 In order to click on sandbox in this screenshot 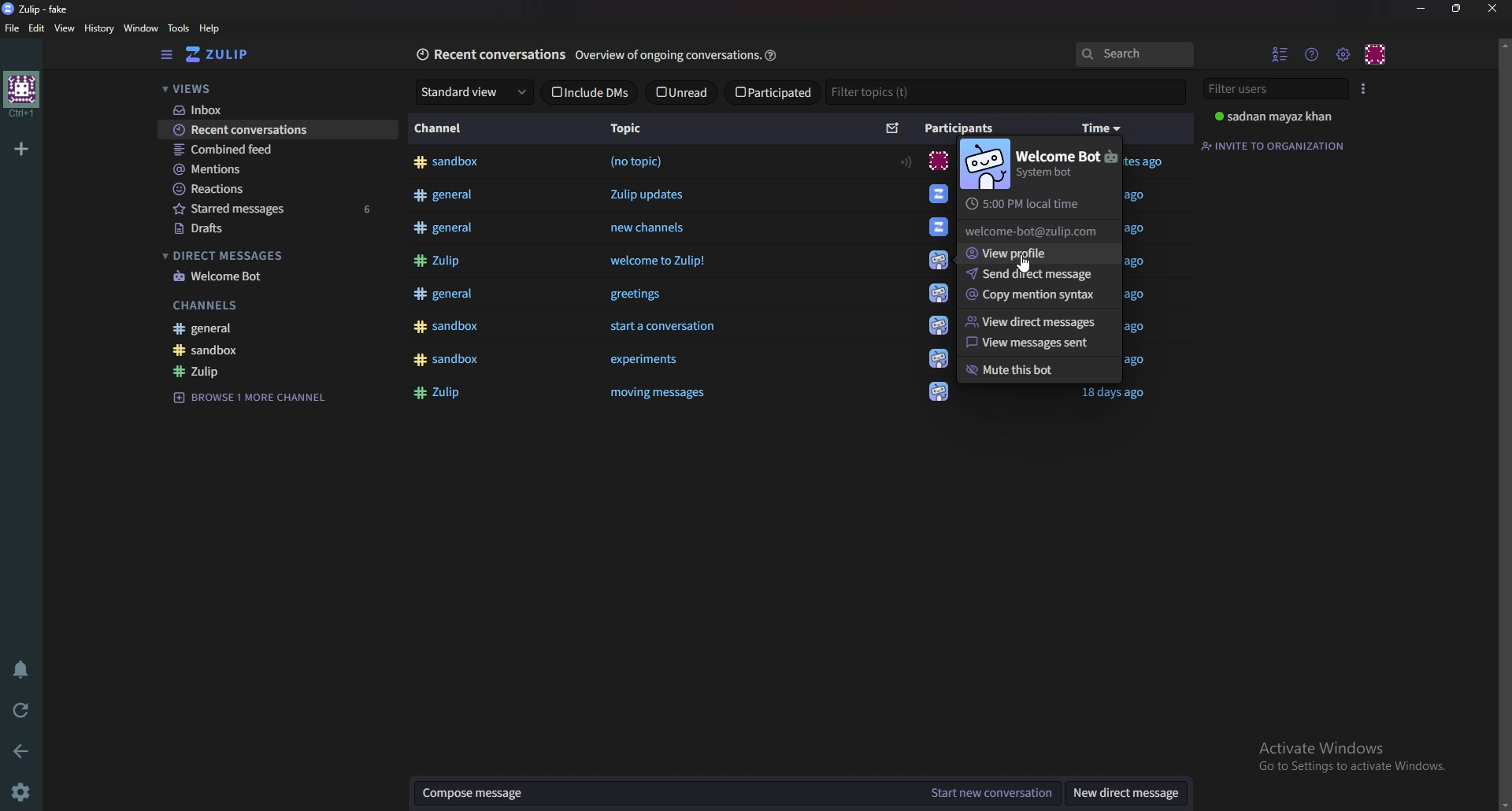, I will do `click(281, 350)`.